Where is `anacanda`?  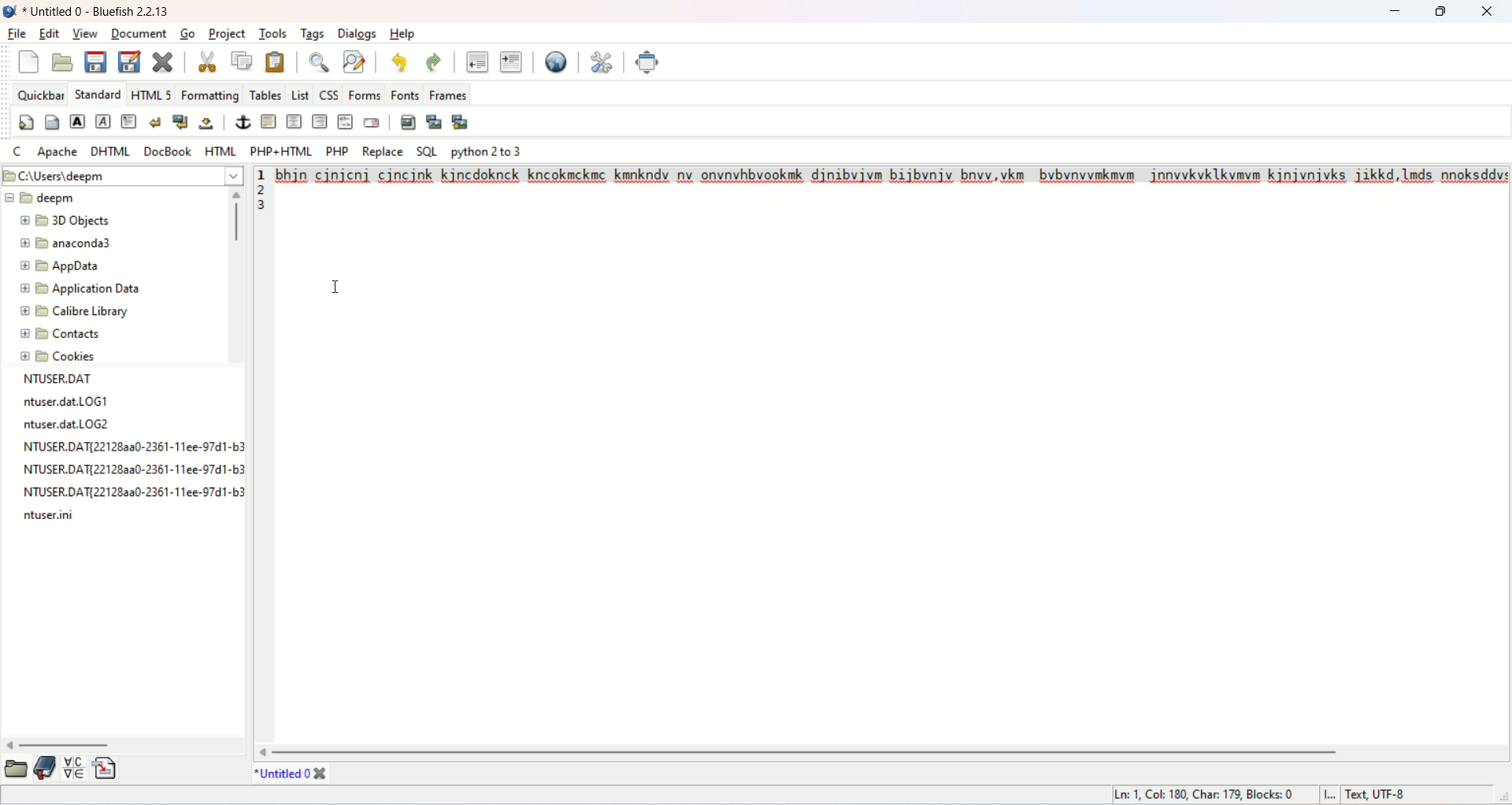 anacanda is located at coordinates (73, 245).